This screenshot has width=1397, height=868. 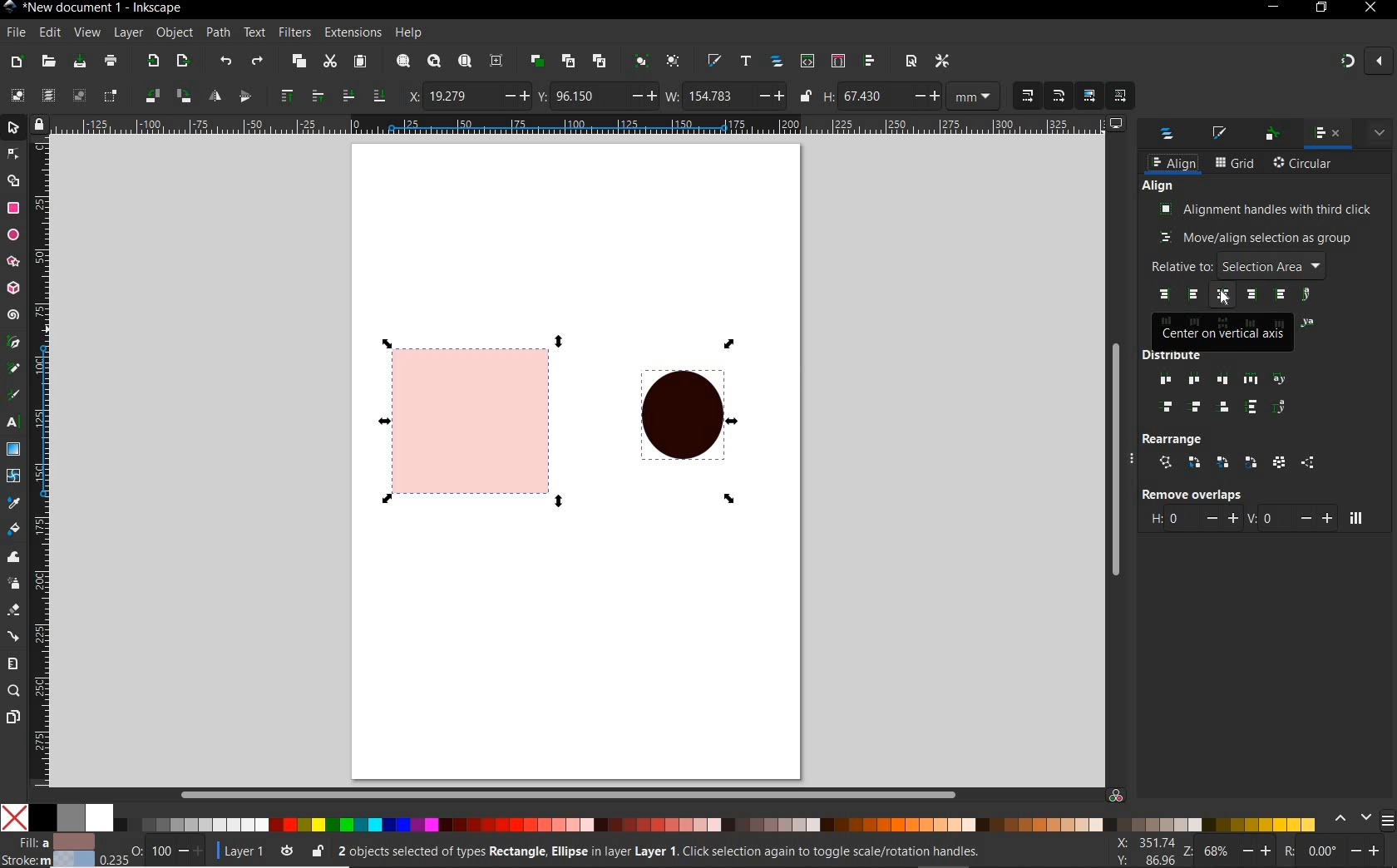 What do you see at coordinates (12, 611) in the screenshot?
I see `eraser tool` at bounding box center [12, 611].